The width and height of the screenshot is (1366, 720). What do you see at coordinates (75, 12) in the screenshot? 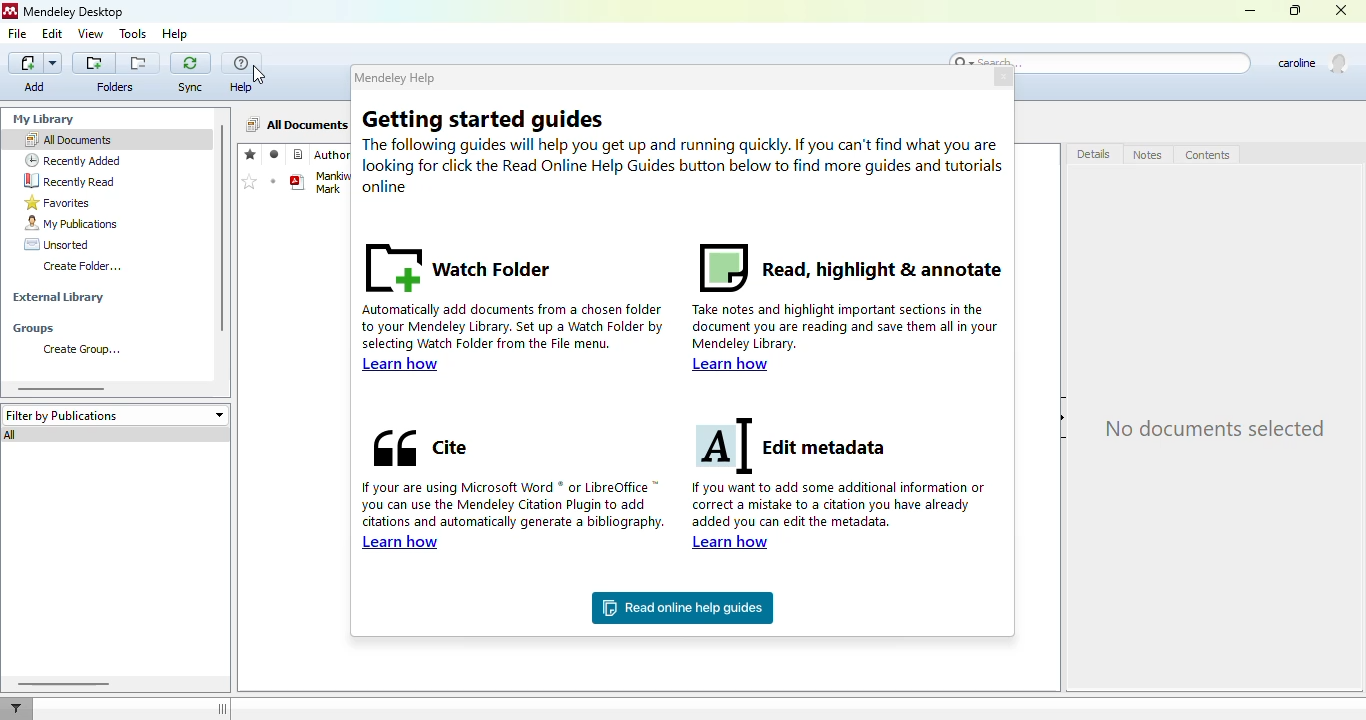
I see `mendeley desktop` at bounding box center [75, 12].